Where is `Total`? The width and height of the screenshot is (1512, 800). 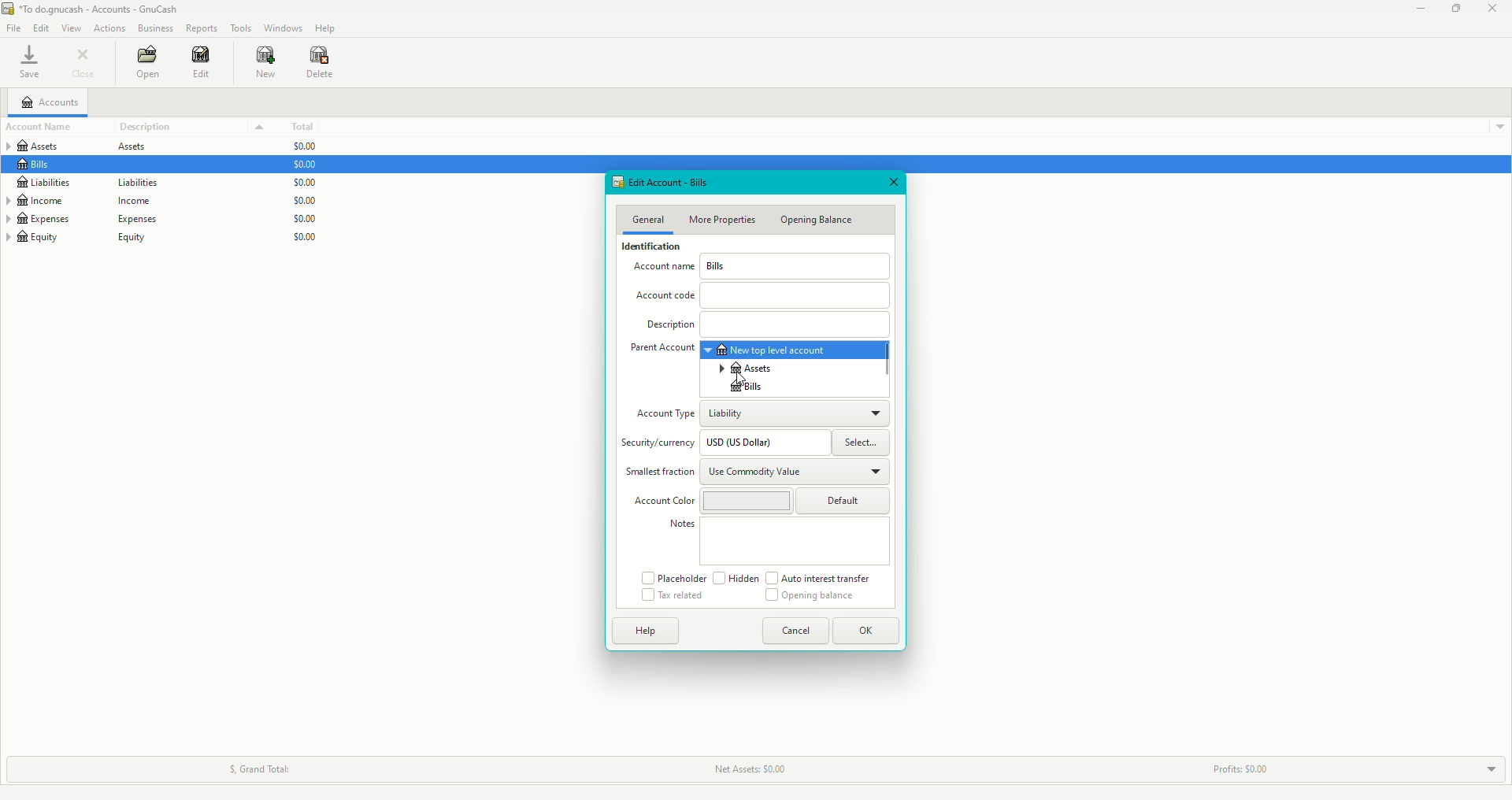 Total is located at coordinates (309, 127).